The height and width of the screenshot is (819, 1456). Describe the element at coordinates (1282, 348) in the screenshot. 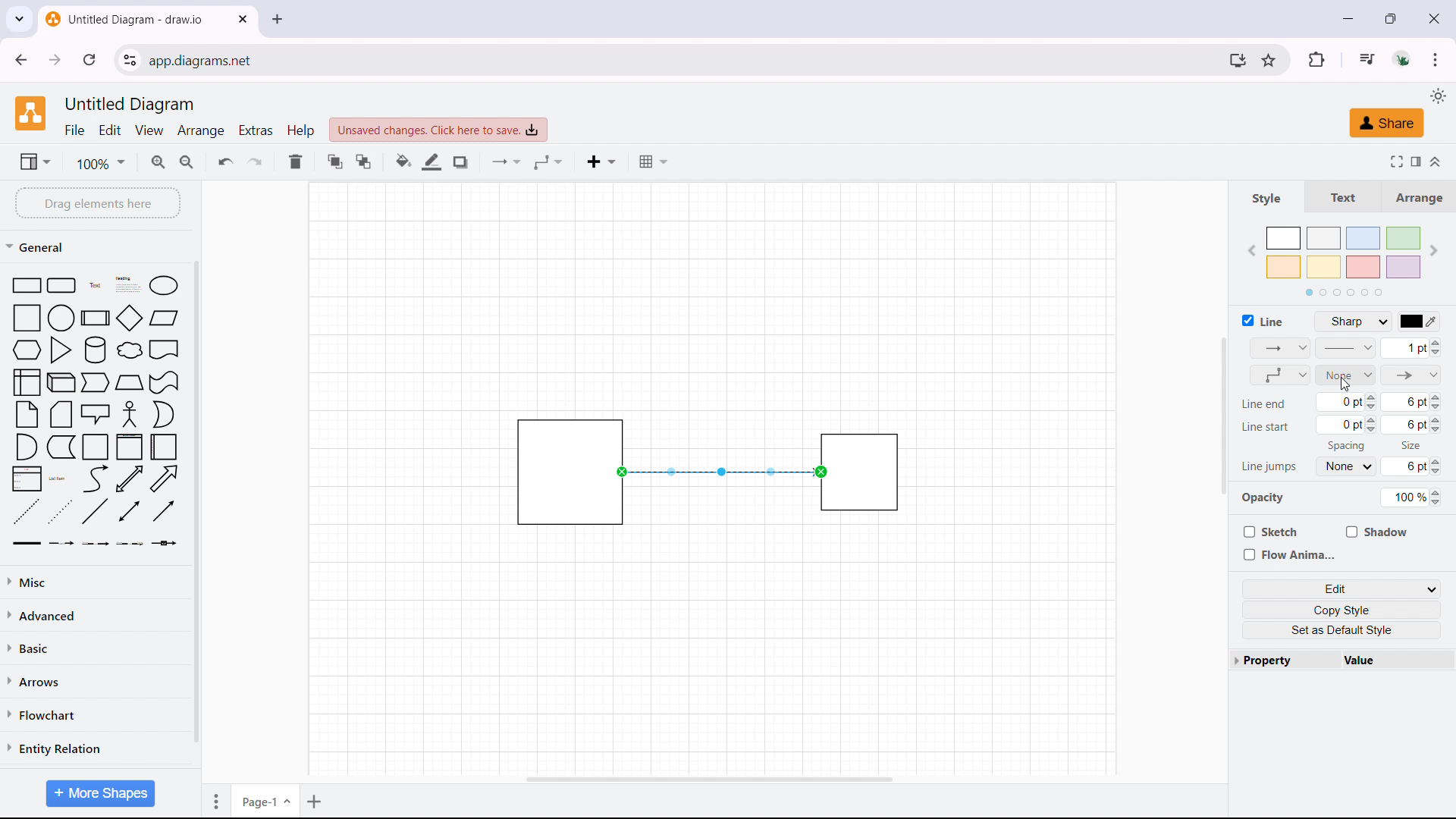

I see `connection` at that location.